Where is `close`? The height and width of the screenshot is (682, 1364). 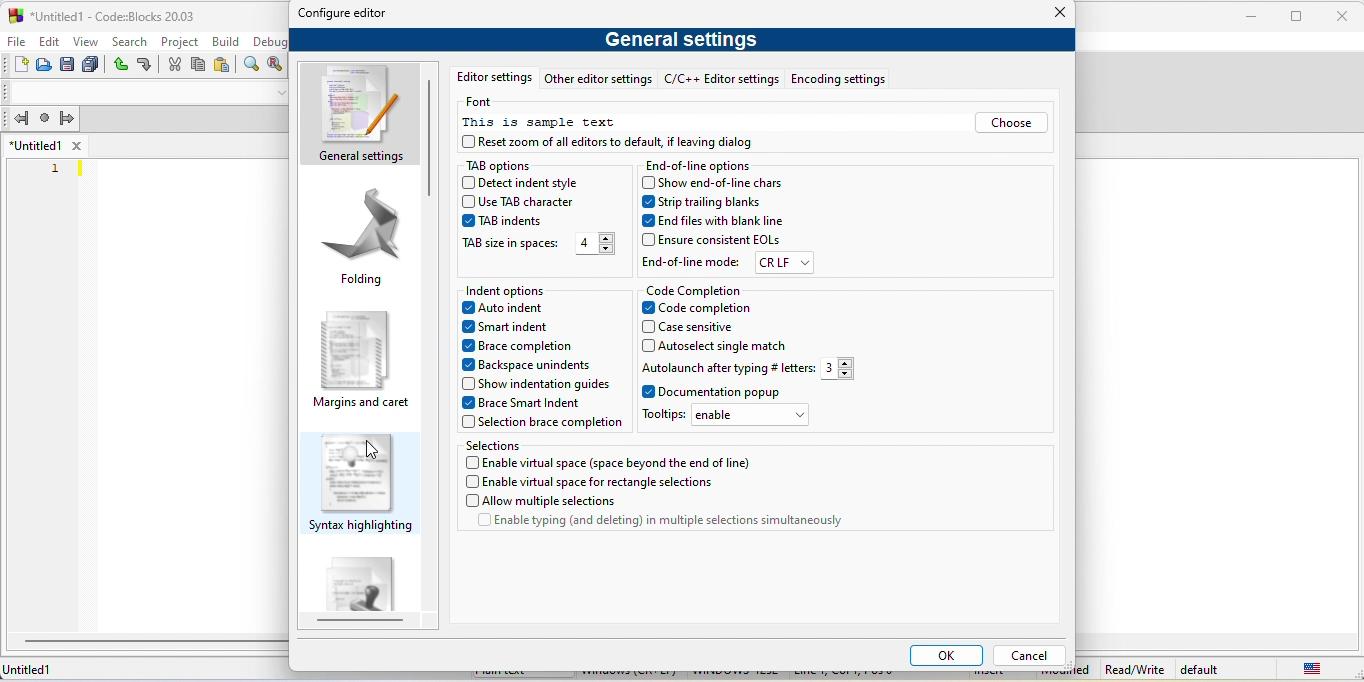 close is located at coordinates (1058, 12).